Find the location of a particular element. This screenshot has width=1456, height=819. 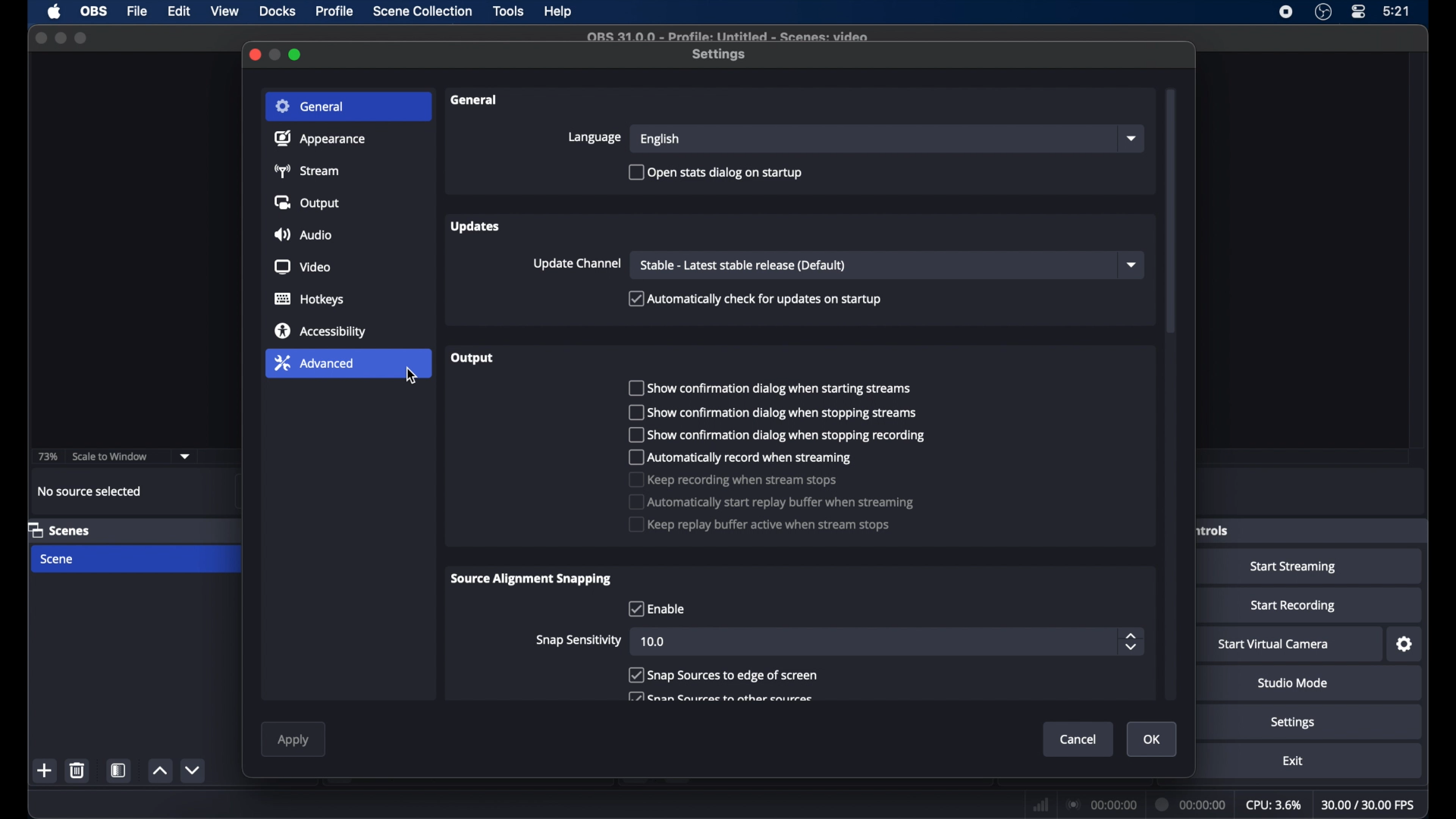

73% is located at coordinates (47, 457).